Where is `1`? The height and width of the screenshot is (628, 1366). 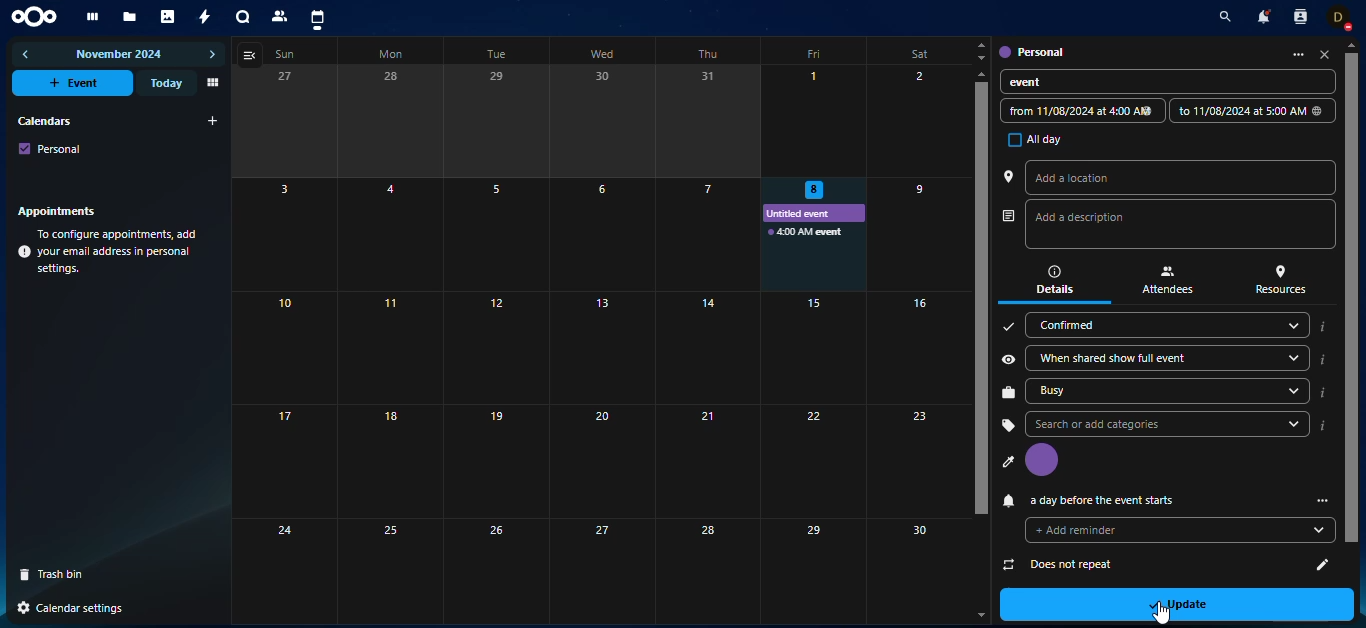 1 is located at coordinates (815, 121).